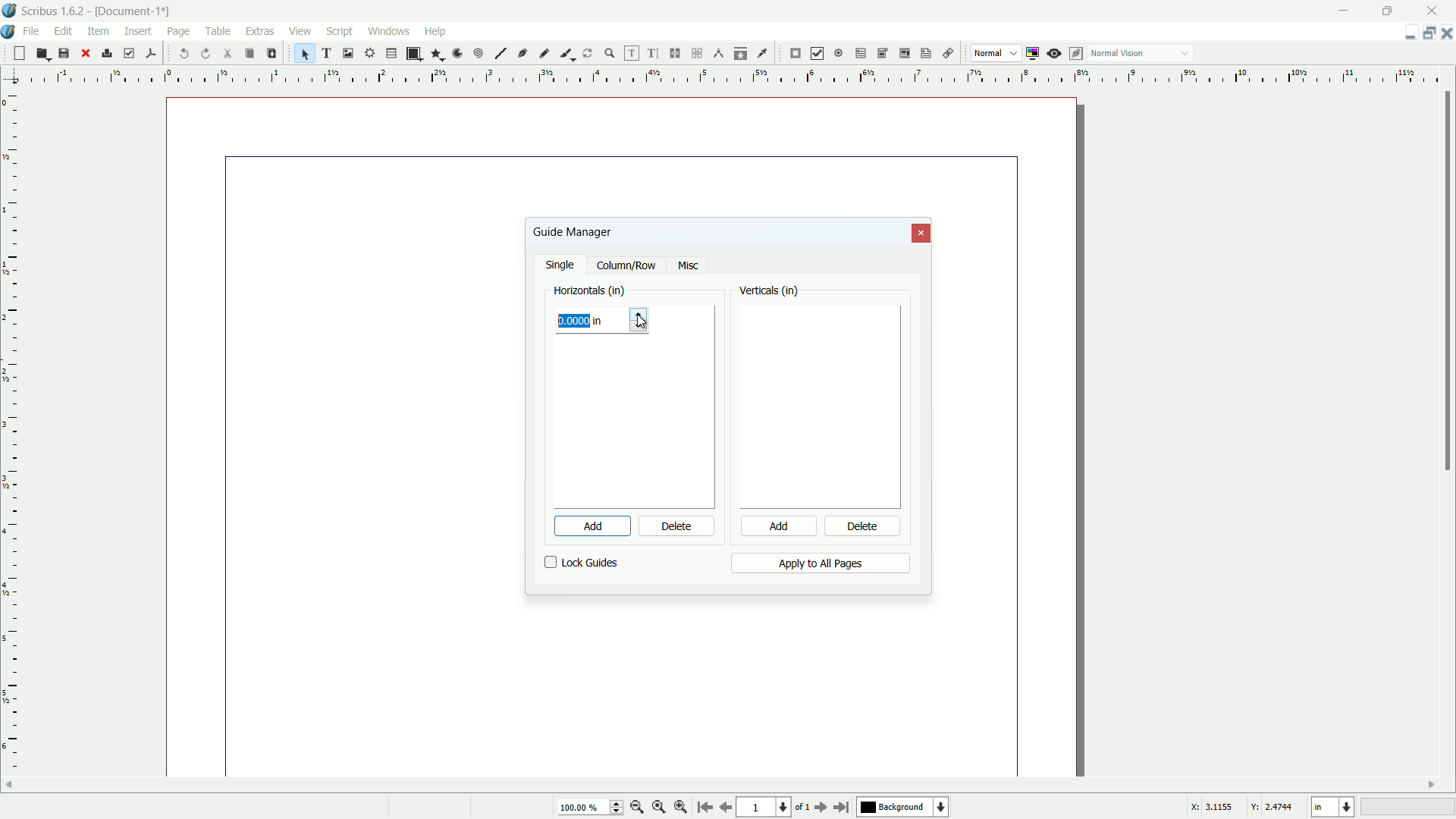 The height and width of the screenshot is (819, 1456). Describe the element at coordinates (207, 53) in the screenshot. I see `redo` at that location.